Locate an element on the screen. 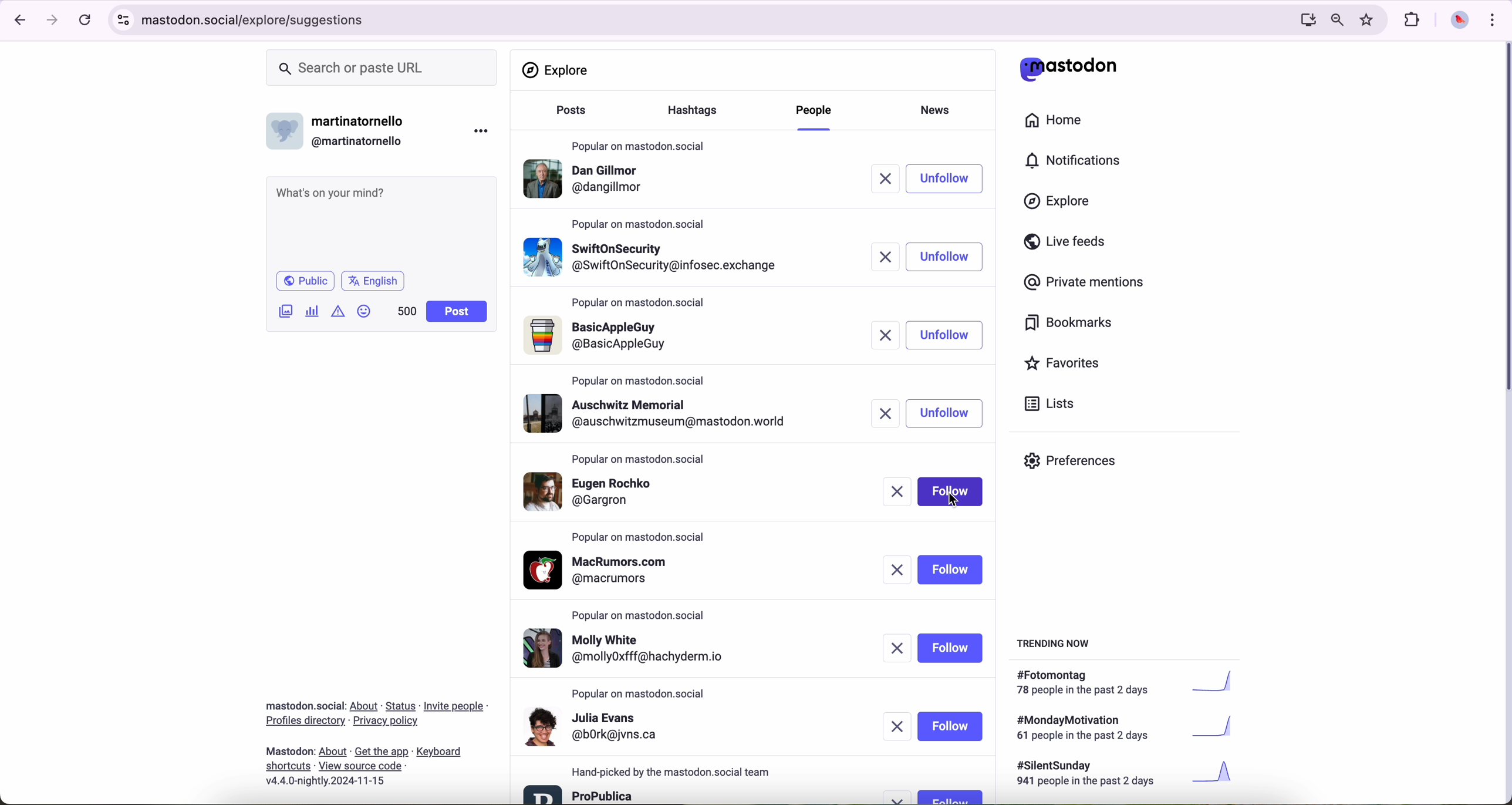 The width and height of the screenshot is (1512, 805). notifications is located at coordinates (1078, 161).